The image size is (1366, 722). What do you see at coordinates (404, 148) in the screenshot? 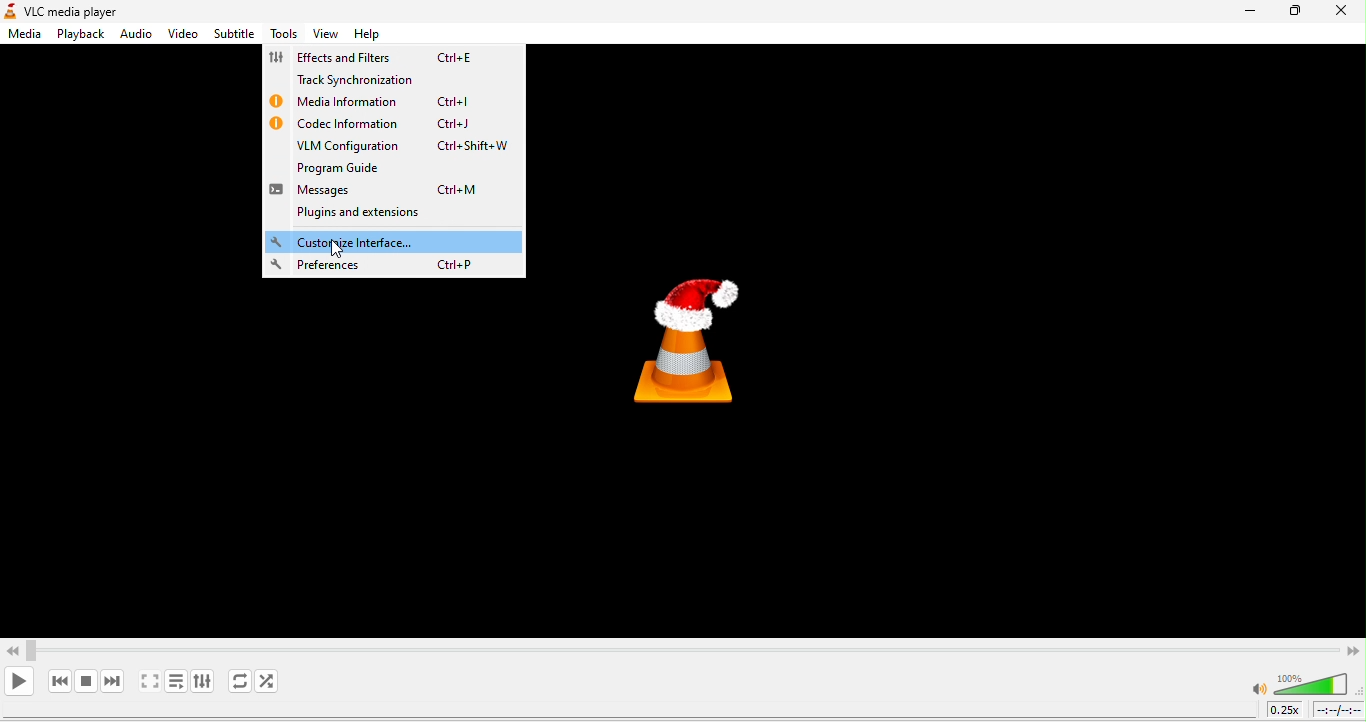
I see `vlm configuration` at bounding box center [404, 148].